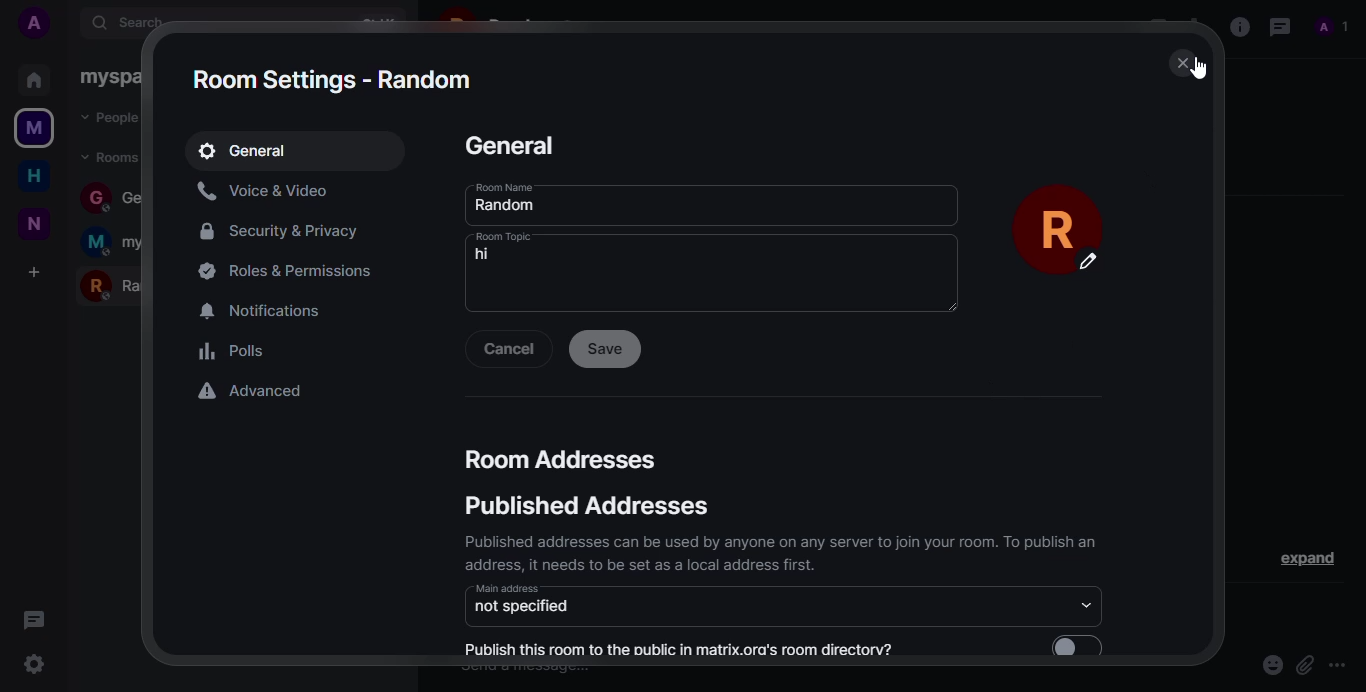 The image size is (1366, 692). I want to click on threads, so click(33, 619).